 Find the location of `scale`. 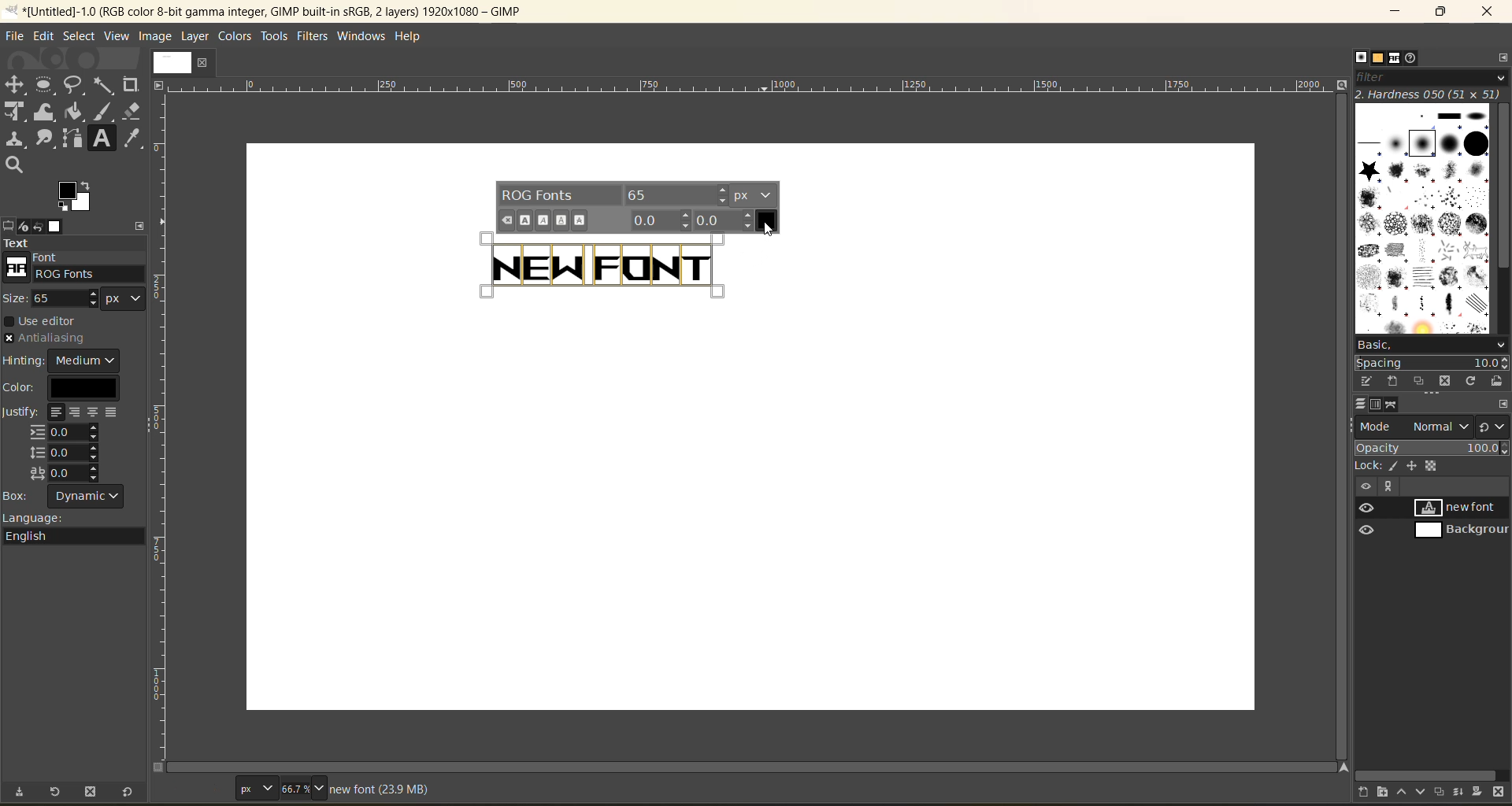

scale is located at coordinates (163, 380).